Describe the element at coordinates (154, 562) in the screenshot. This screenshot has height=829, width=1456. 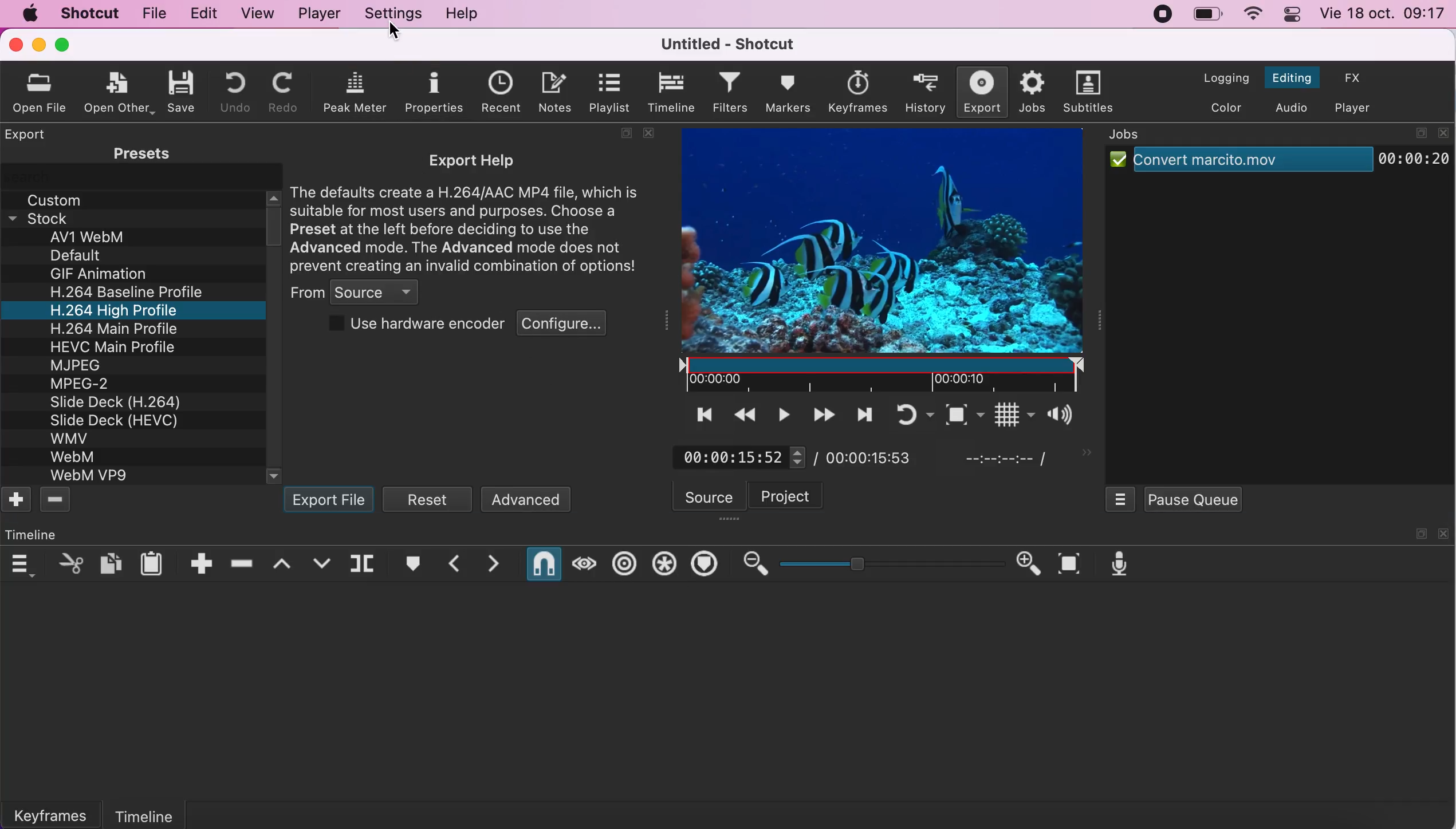
I see `paste` at that location.